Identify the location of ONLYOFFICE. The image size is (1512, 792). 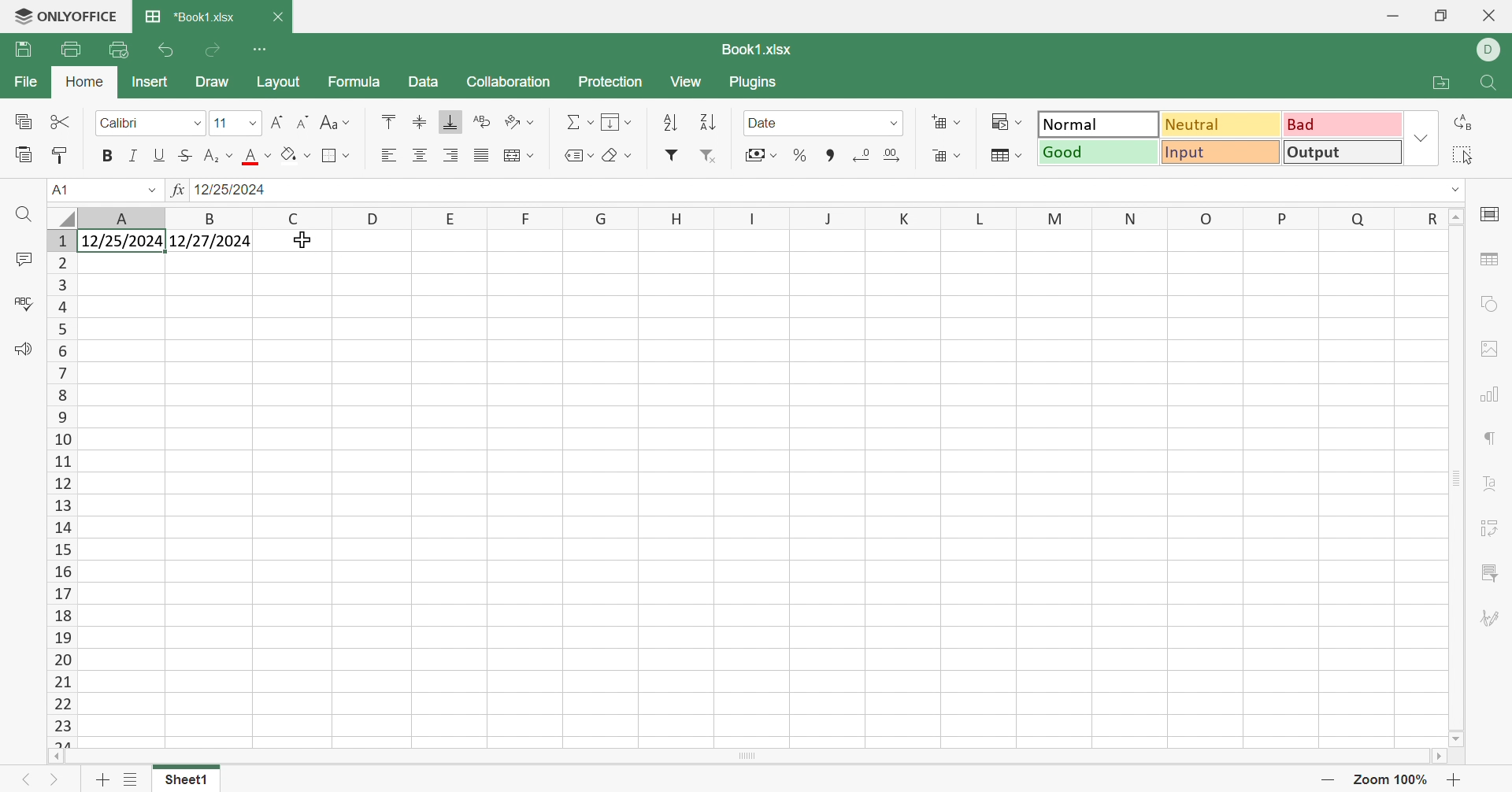
(62, 19).